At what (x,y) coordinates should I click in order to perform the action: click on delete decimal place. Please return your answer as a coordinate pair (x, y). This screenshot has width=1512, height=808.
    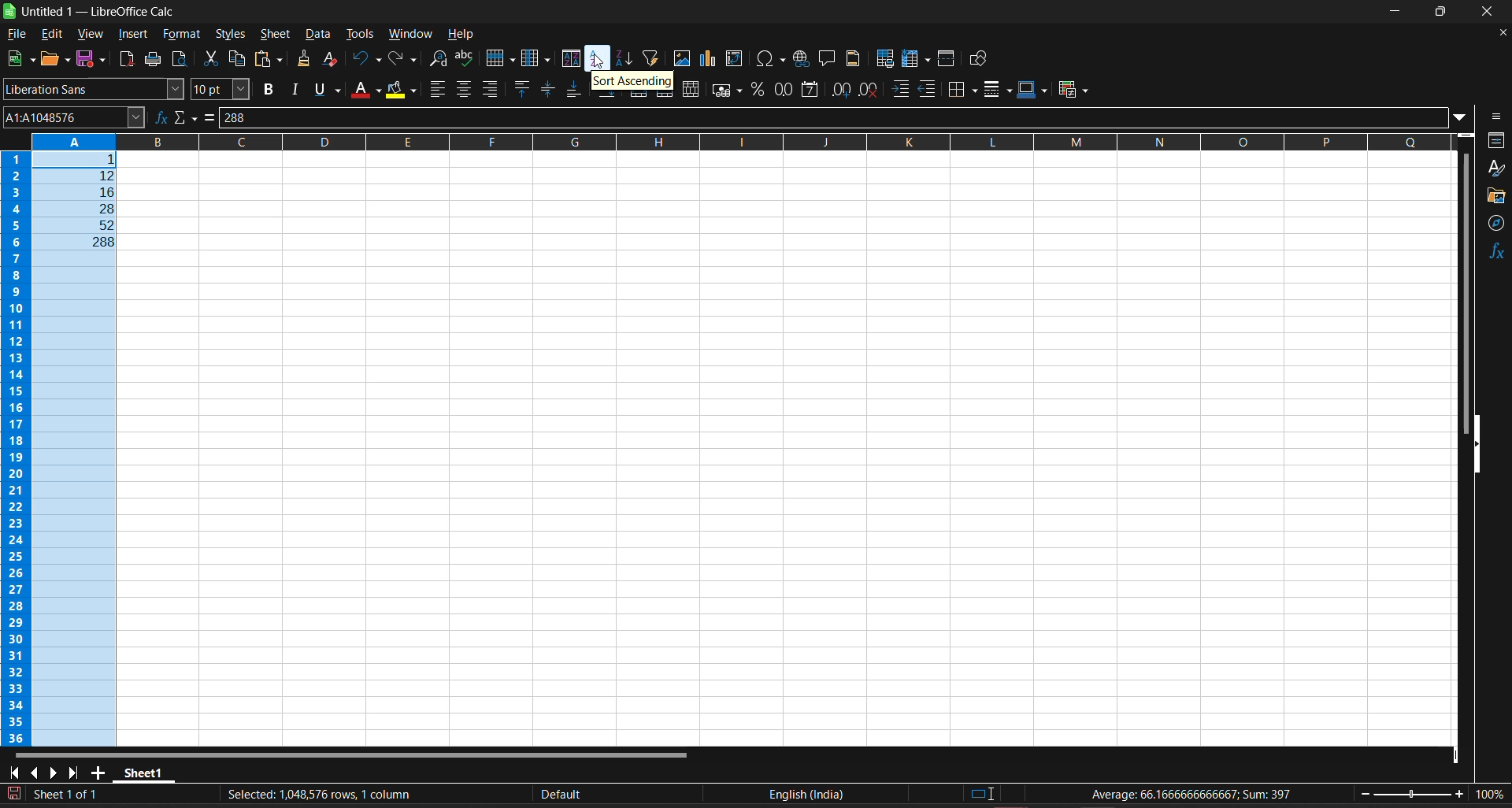
    Looking at the image, I should click on (869, 88).